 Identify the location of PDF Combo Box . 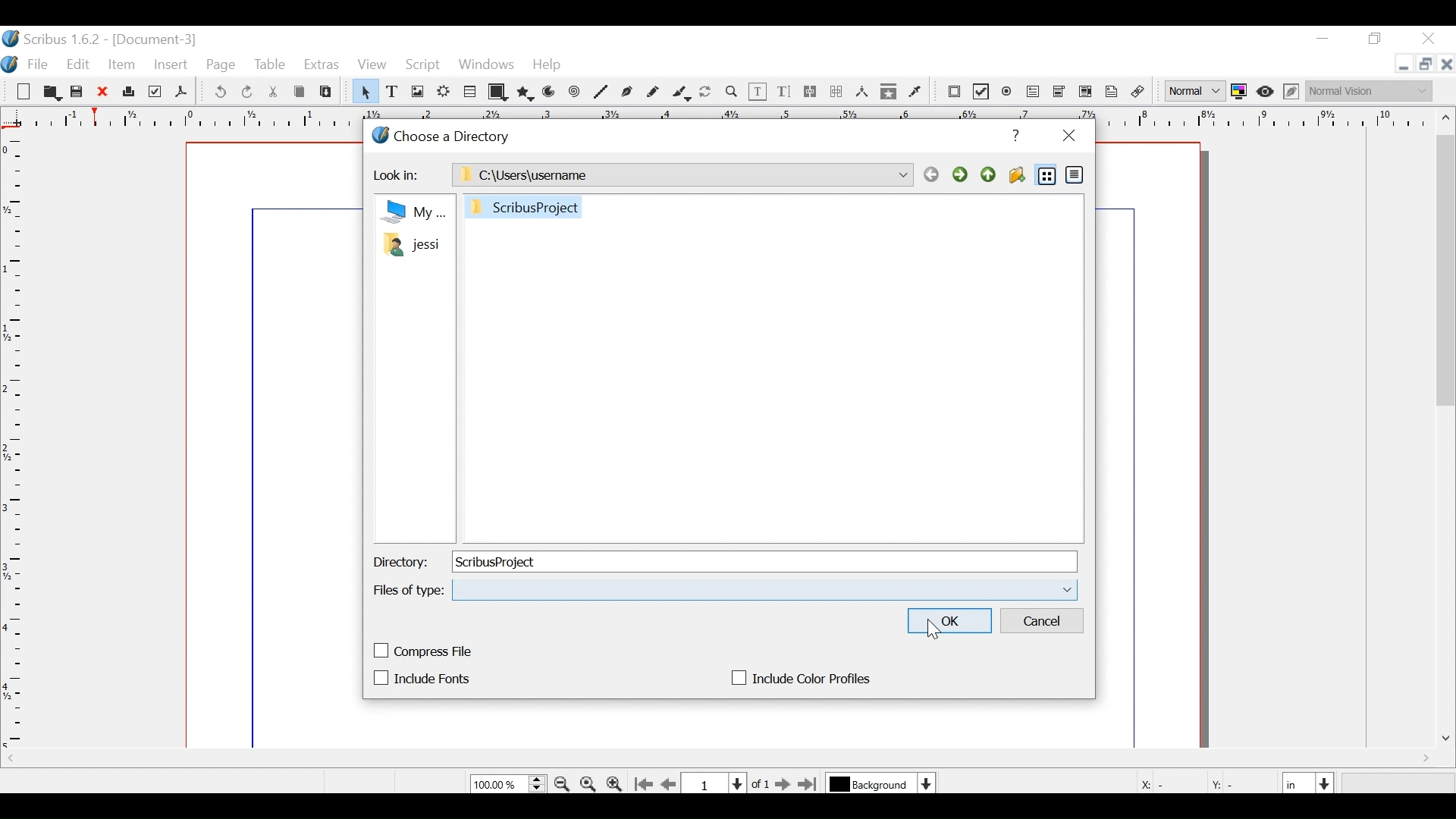
(1061, 93).